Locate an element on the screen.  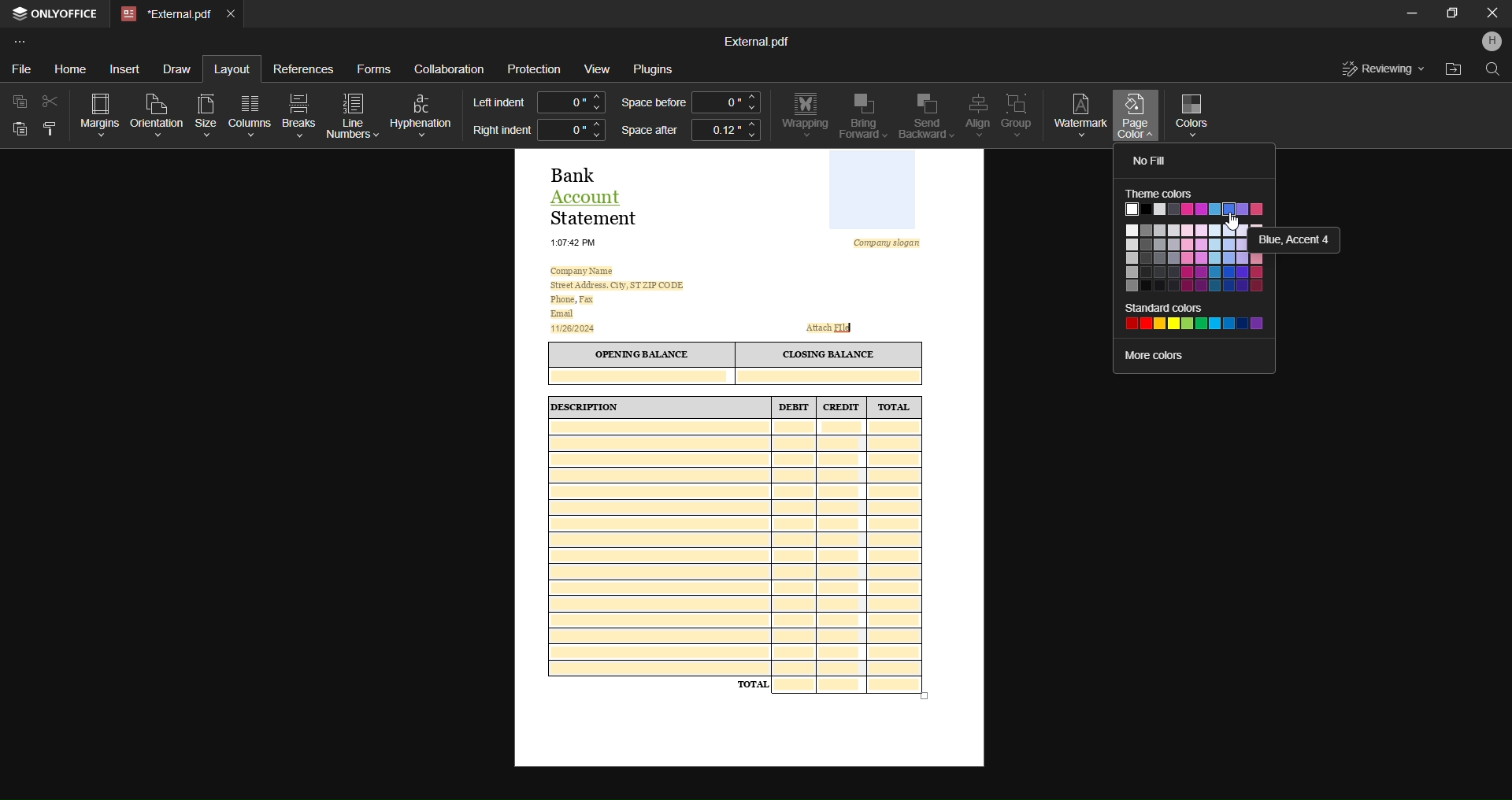
theme colors is located at coordinates (1171, 209).